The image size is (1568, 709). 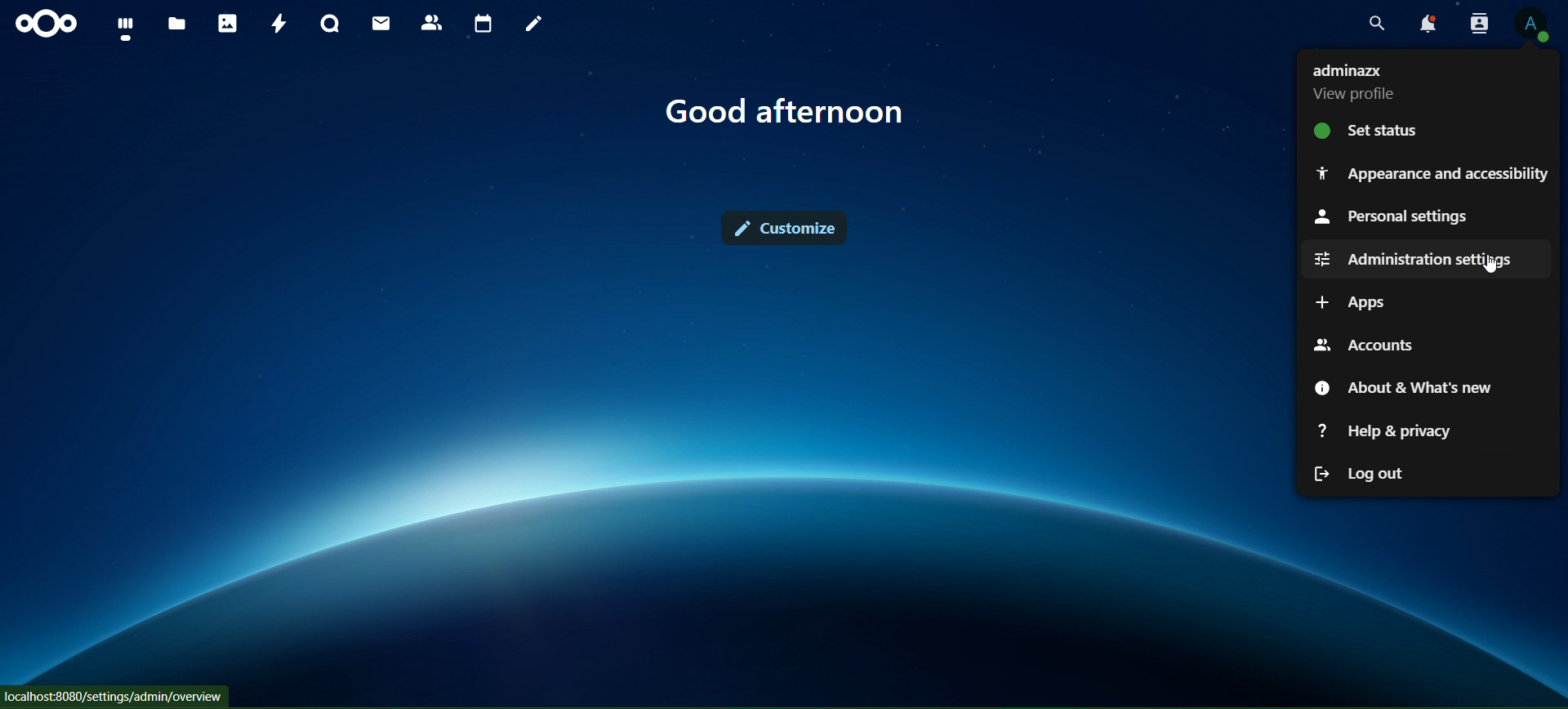 What do you see at coordinates (178, 22) in the screenshot?
I see `files` at bounding box center [178, 22].